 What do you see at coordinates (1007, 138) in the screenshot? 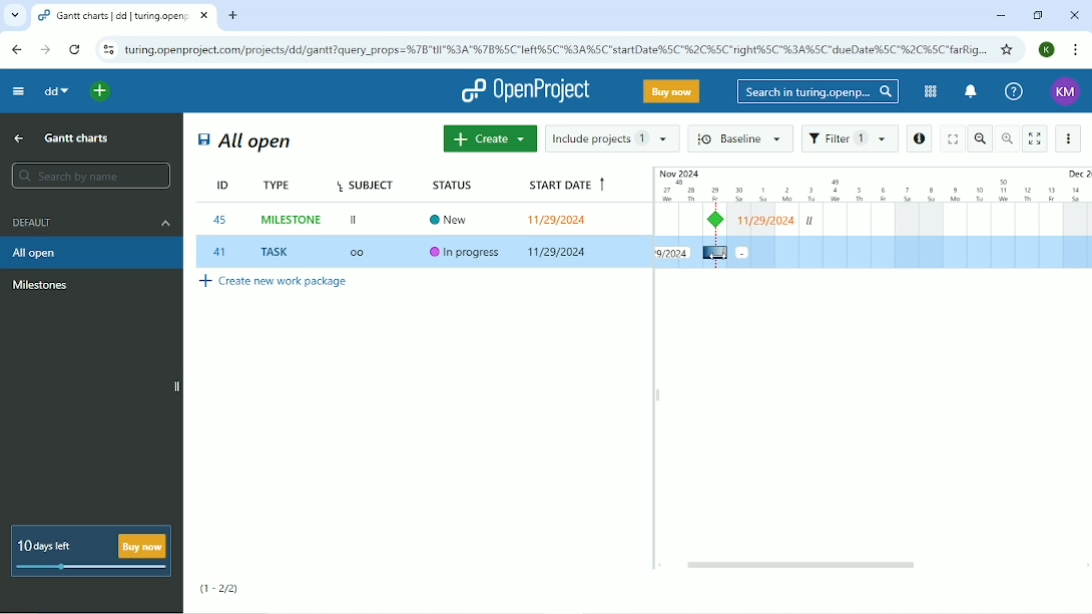
I see `Zoom in` at bounding box center [1007, 138].